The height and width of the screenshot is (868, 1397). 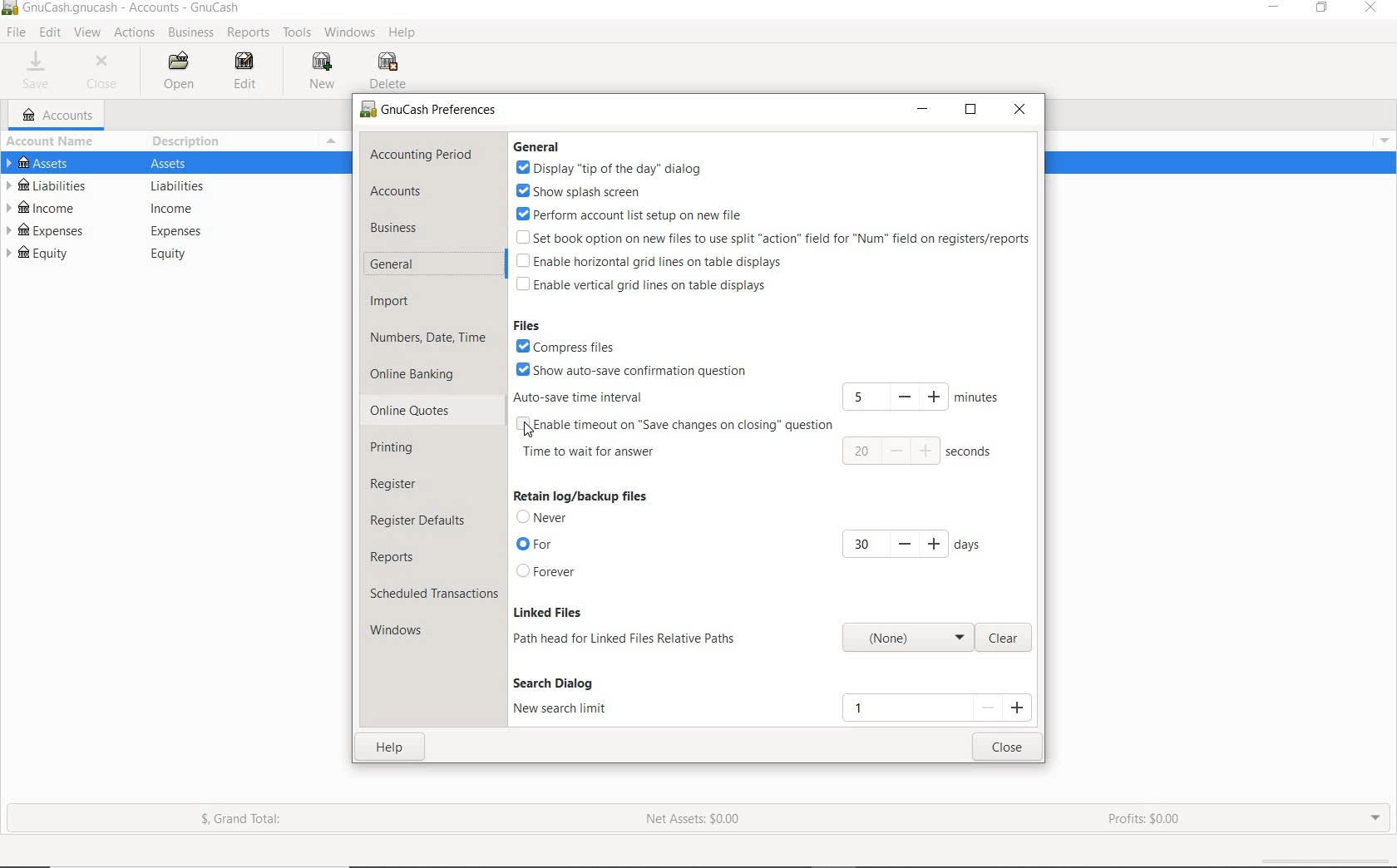 What do you see at coordinates (609, 398) in the screenshot?
I see `AUTO-SAVE TIME INTERVAL` at bounding box center [609, 398].